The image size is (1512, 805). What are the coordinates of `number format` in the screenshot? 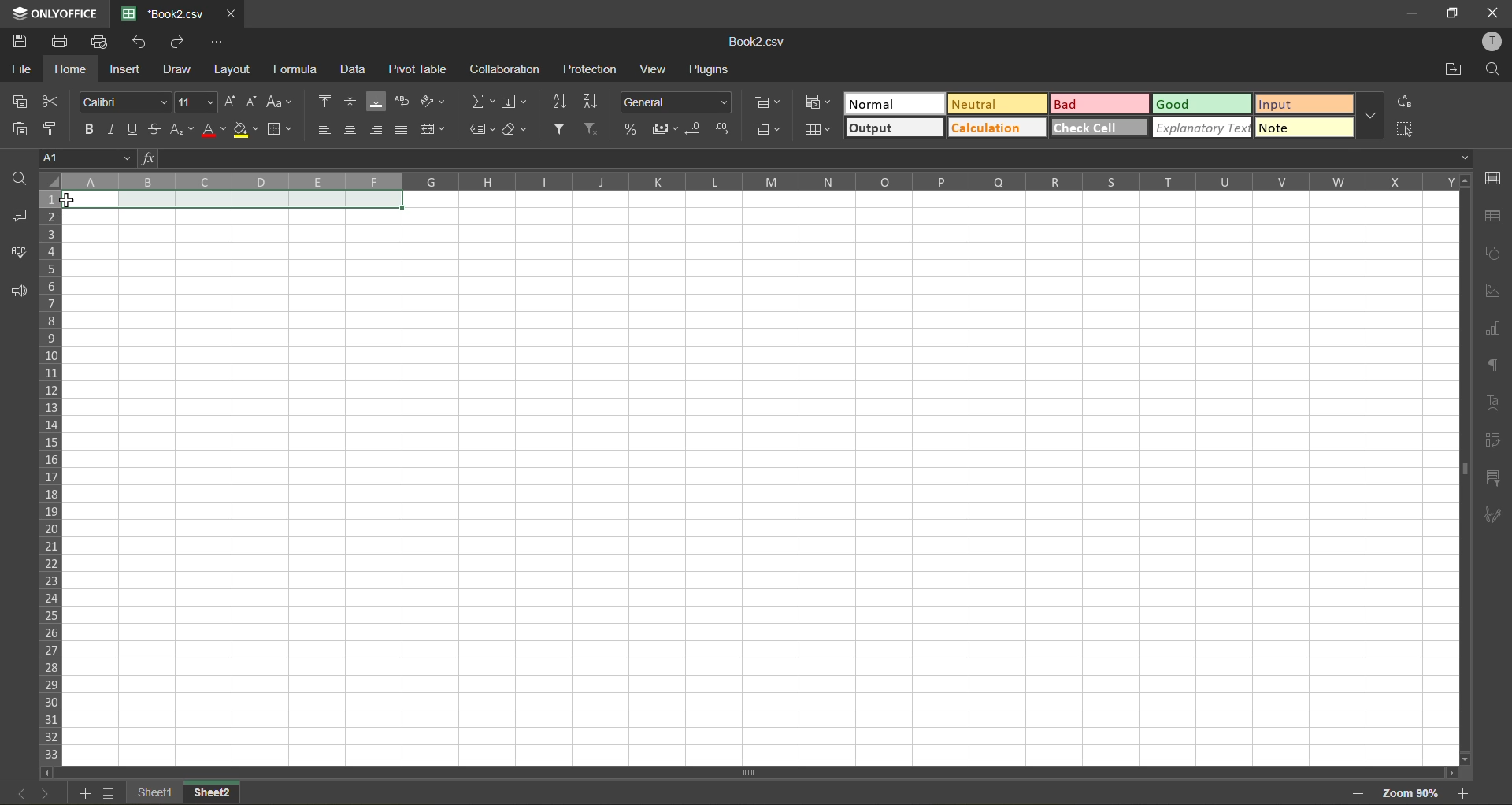 It's located at (680, 100).